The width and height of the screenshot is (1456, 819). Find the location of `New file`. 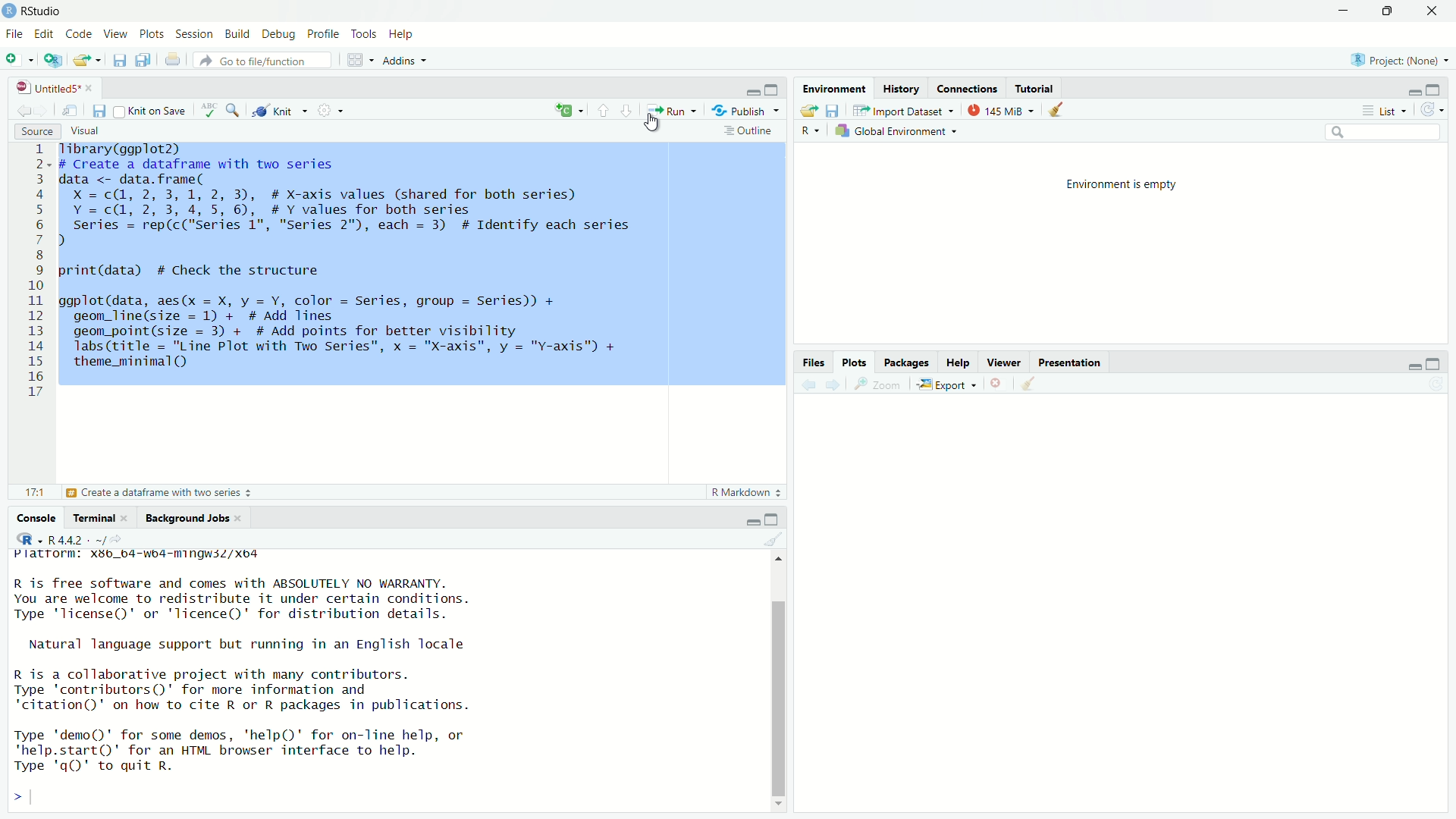

New file is located at coordinates (17, 59).